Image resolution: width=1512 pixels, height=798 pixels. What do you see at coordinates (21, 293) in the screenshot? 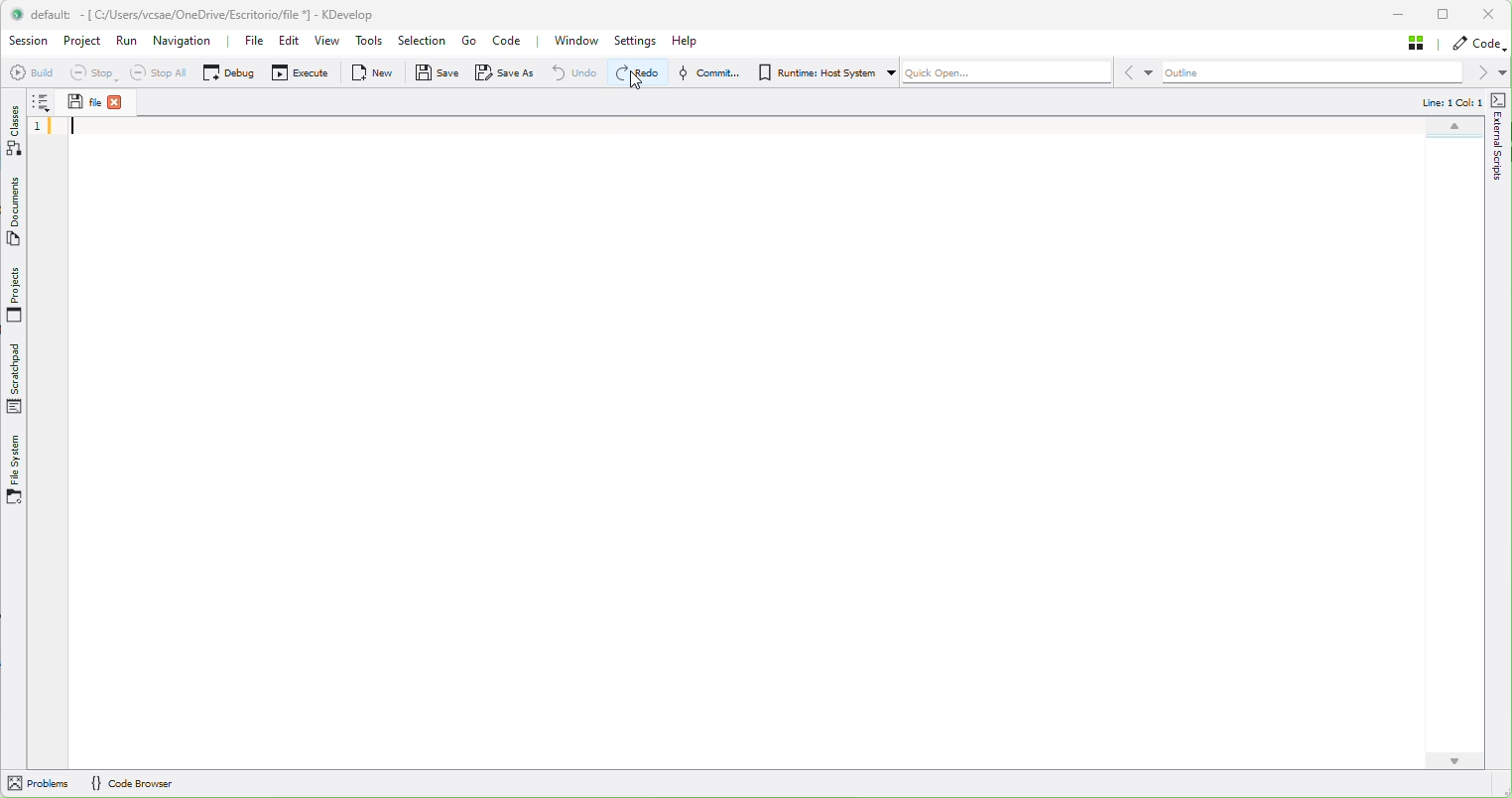
I see `Projects` at bounding box center [21, 293].